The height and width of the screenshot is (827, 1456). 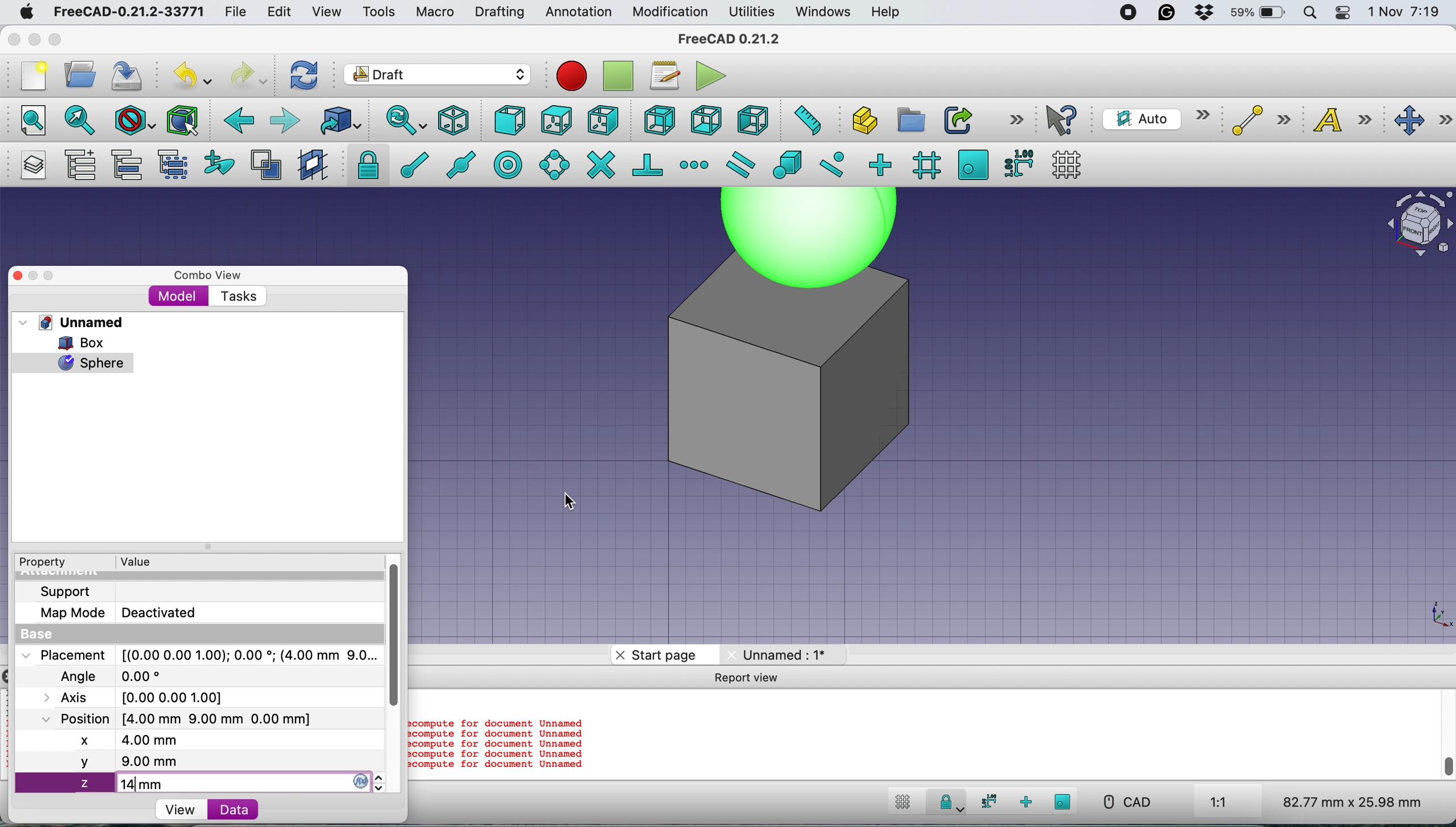 What do you see at coordinates (621, 76) in the screenshot?
I see `stop recording macros` at bounding box center [621, 76].